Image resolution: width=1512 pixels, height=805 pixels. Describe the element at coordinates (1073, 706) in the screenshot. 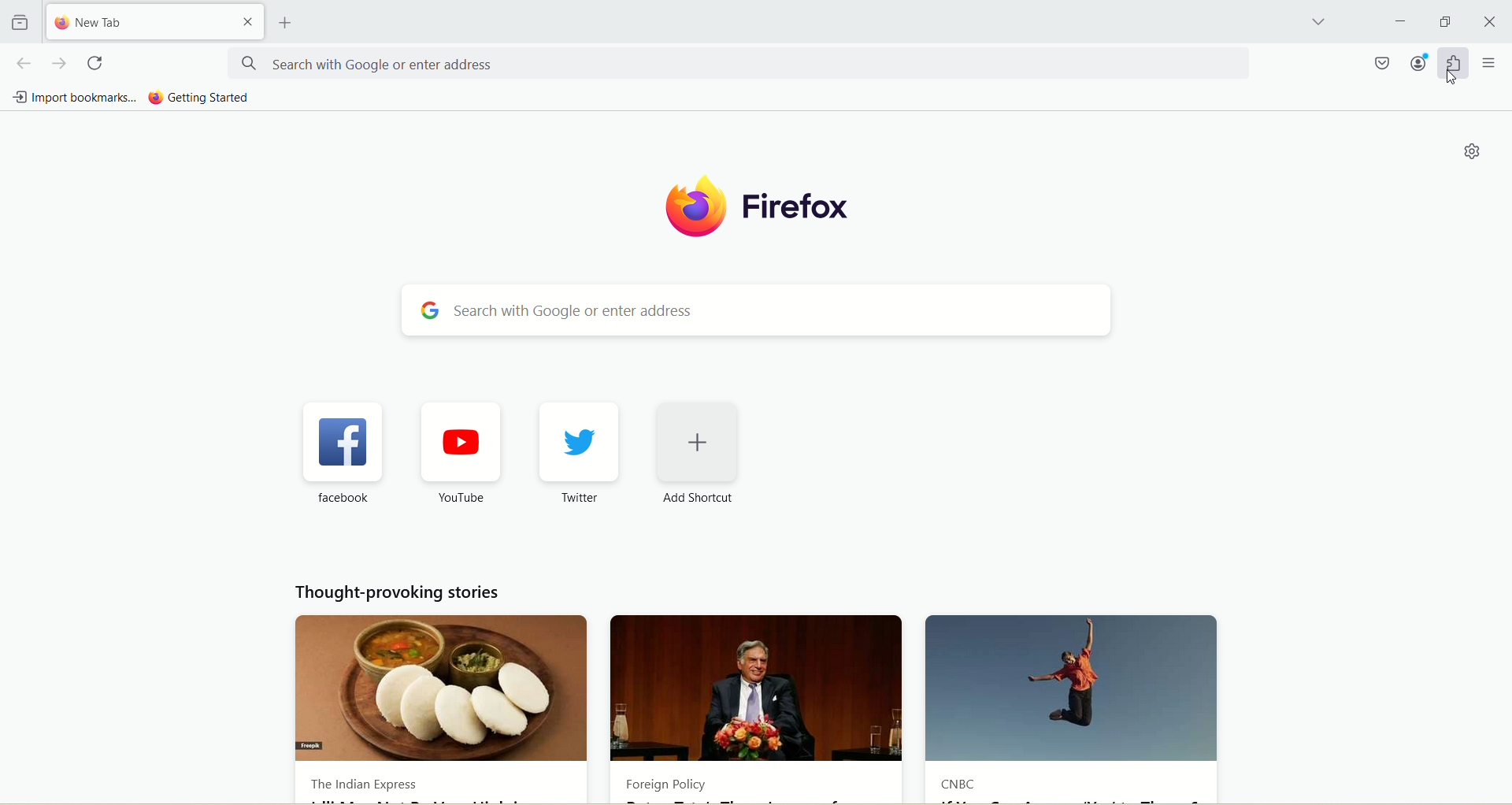

I see `CNBC` at that location.